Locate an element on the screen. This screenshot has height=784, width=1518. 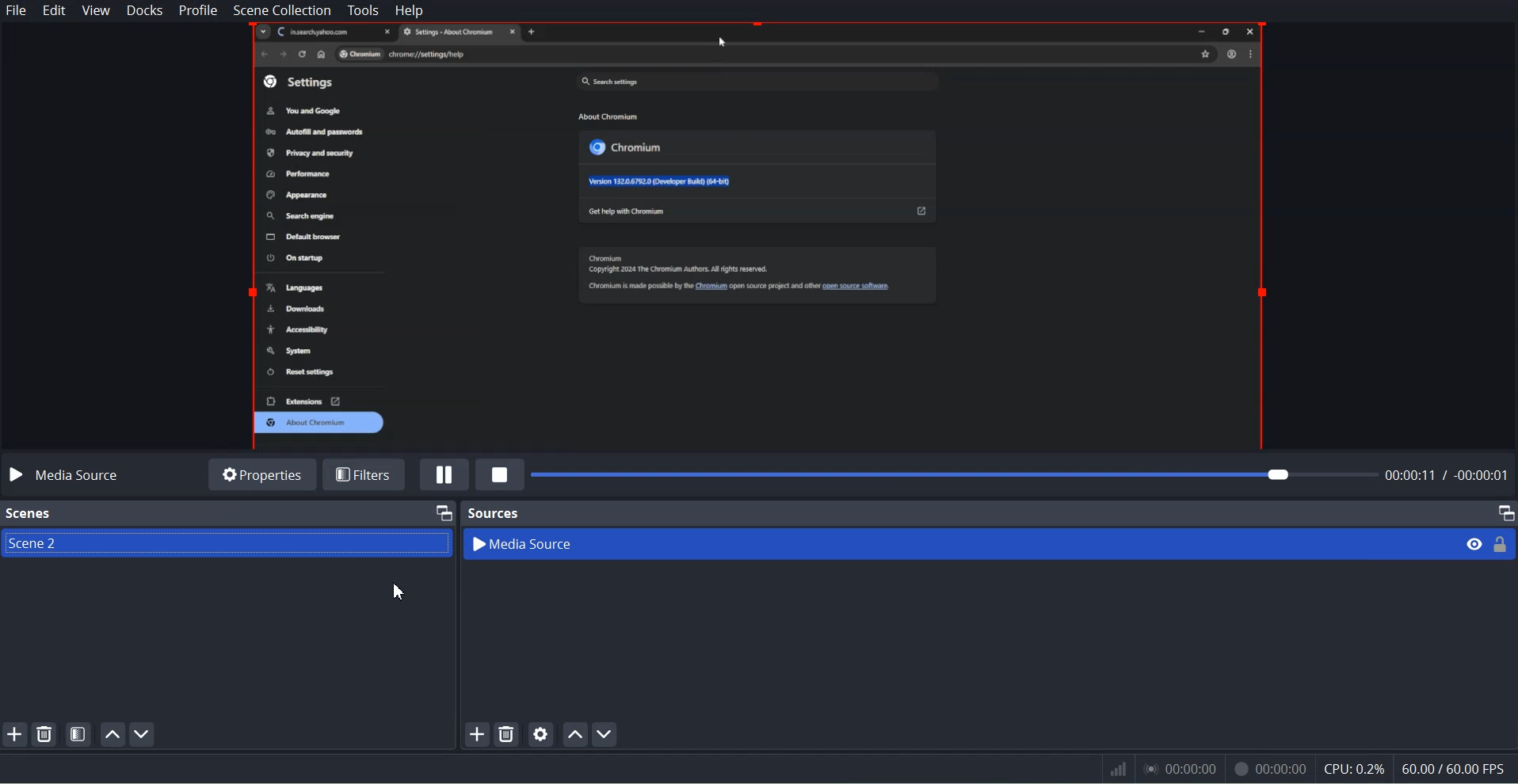
Docks is located at coordinates (144, 11).